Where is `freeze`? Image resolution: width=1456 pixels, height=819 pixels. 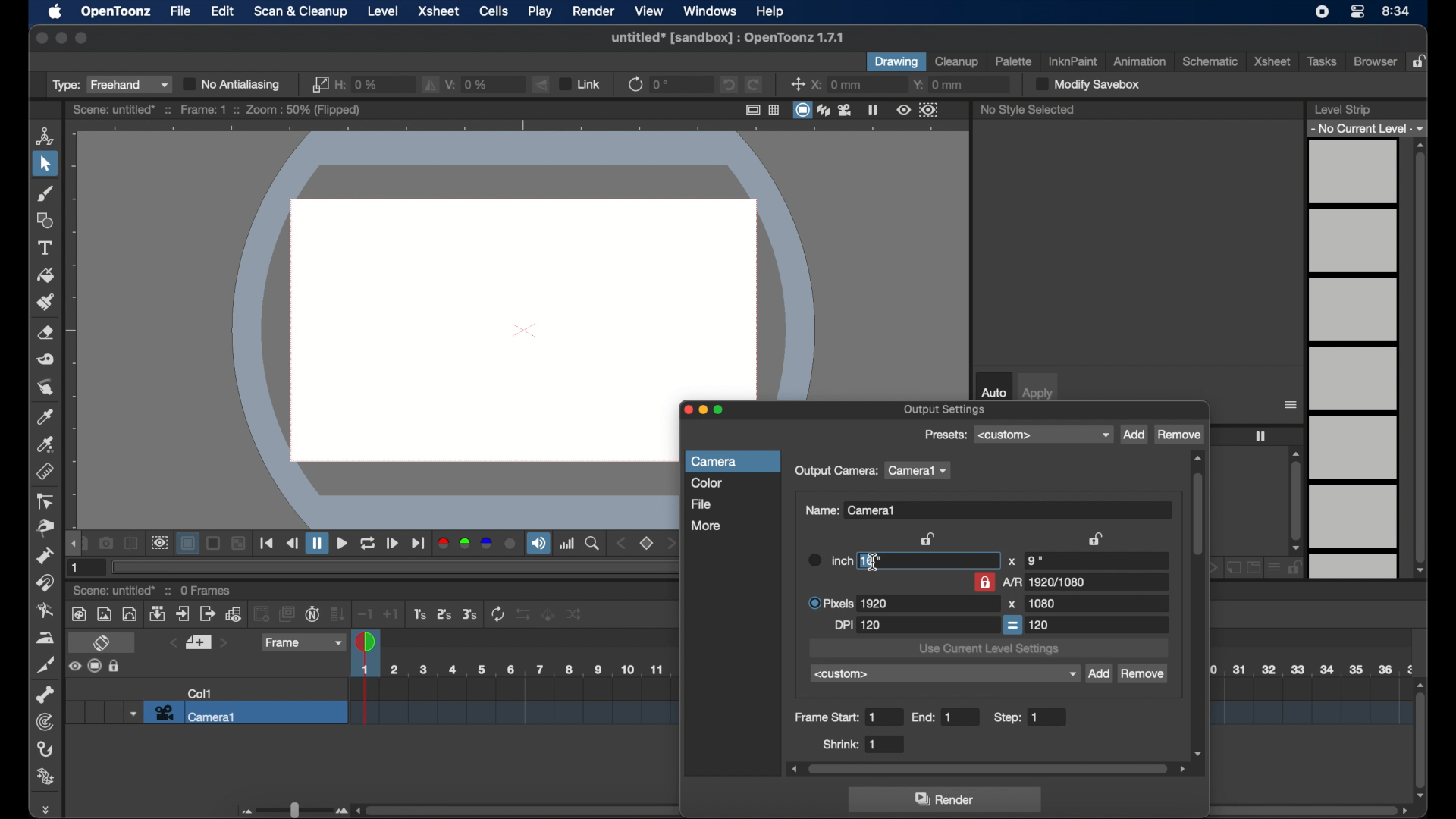
freeze is located at coordinates (873, 109).